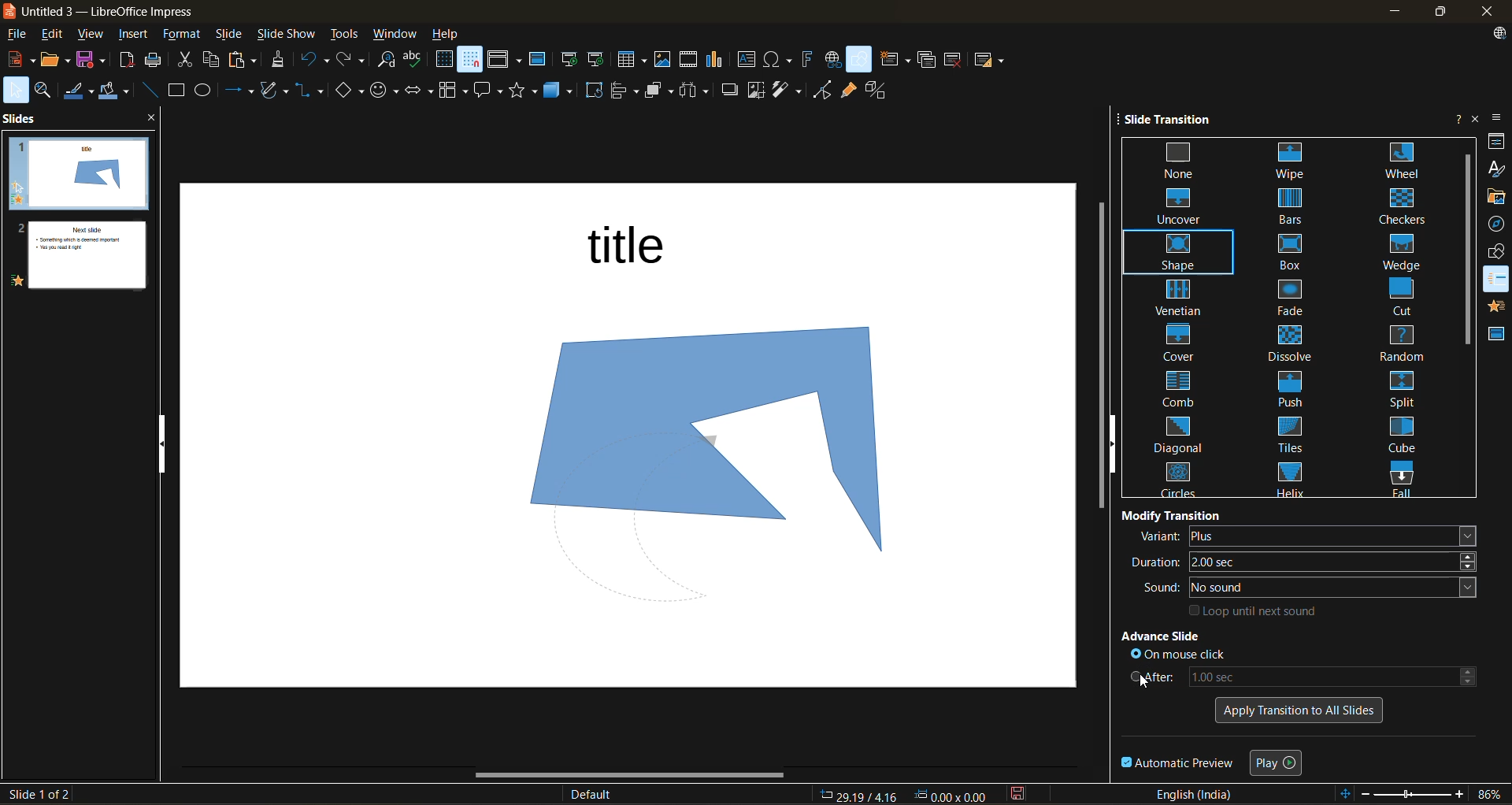  Describe the element at coordinates (208, 91) in the screenshot. I see `ellipse` at that location.